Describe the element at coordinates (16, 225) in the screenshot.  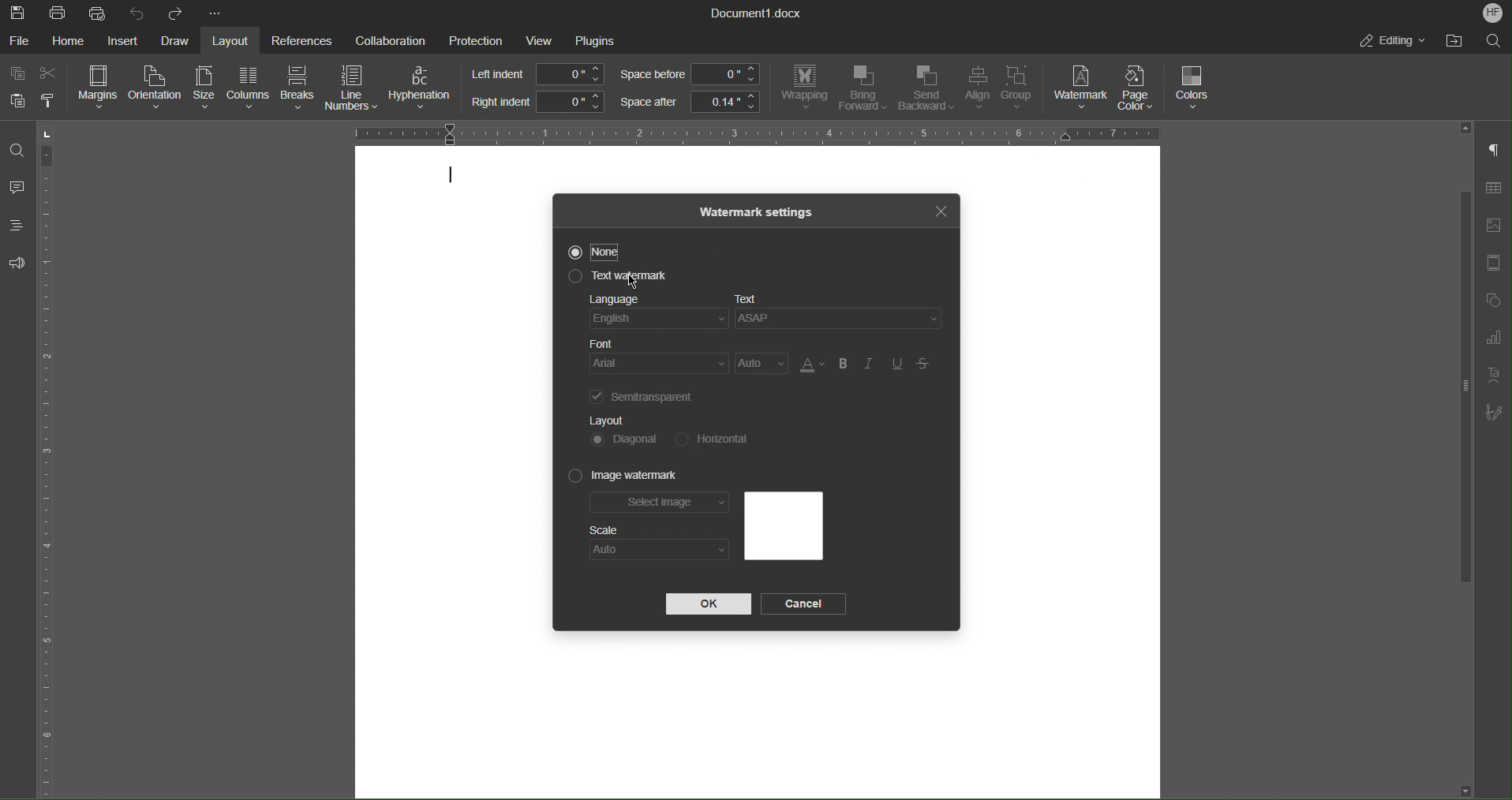
I see `Headings` at that location.